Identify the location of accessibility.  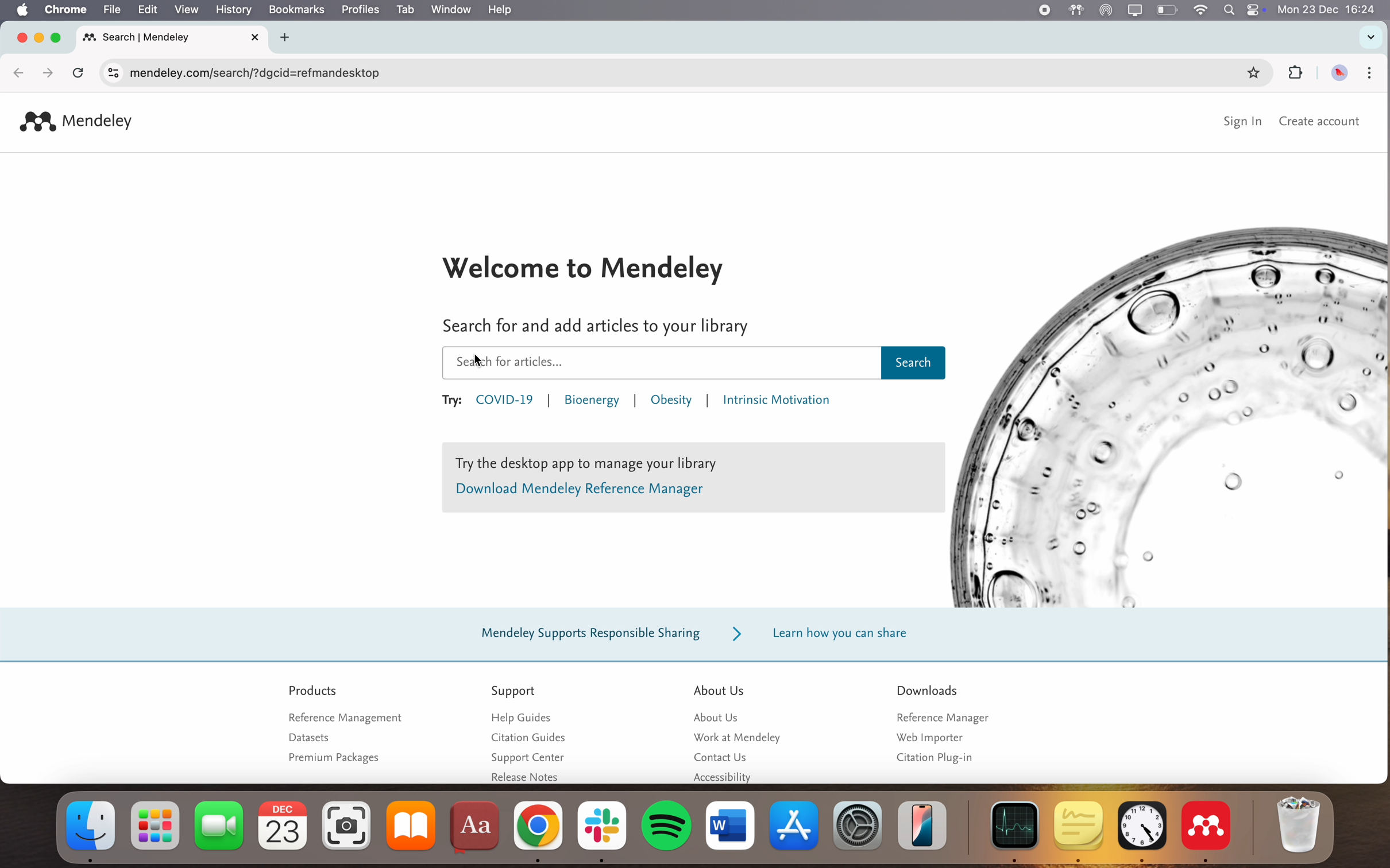
(725, 778).